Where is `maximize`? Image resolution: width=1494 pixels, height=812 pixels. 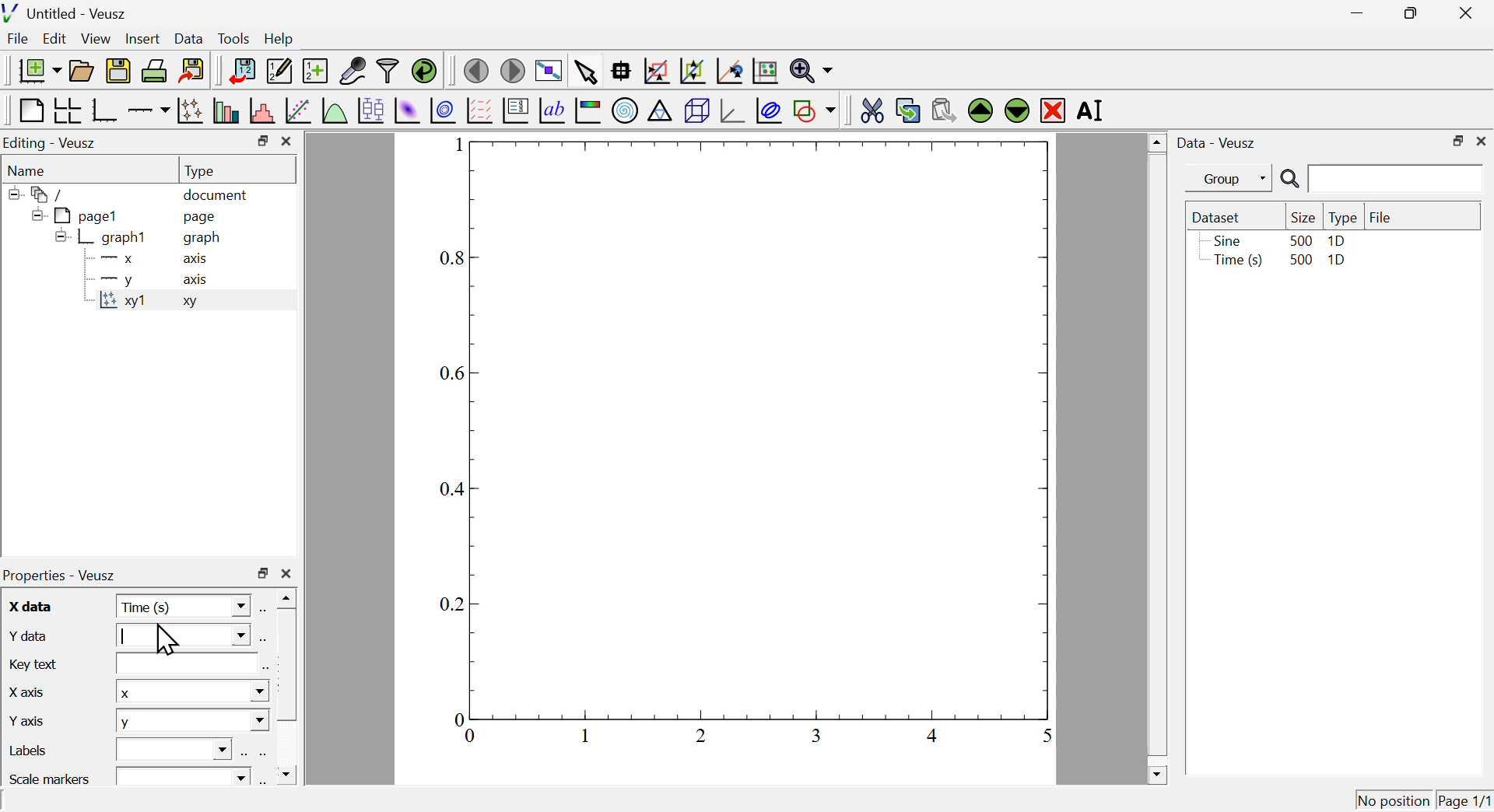
maximize is located at coordinates (1455, 140).